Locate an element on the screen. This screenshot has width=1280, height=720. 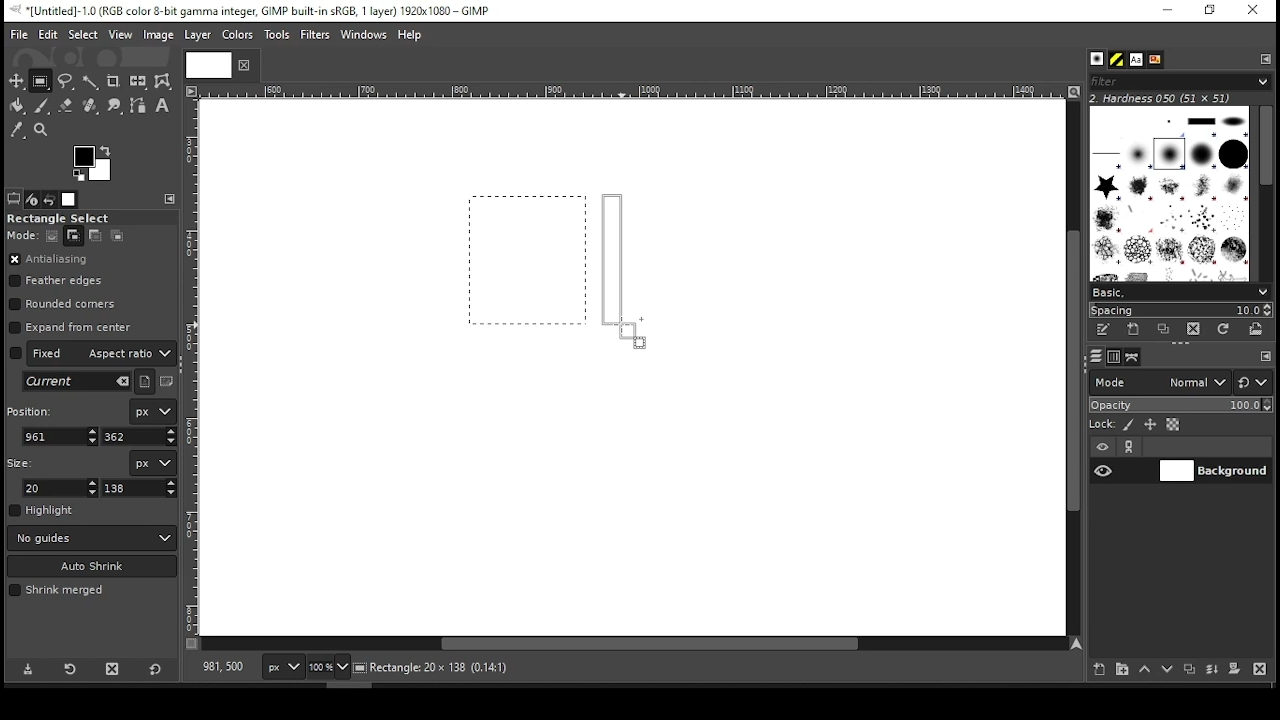
create a new brush is located at coordinates (1136, 329).